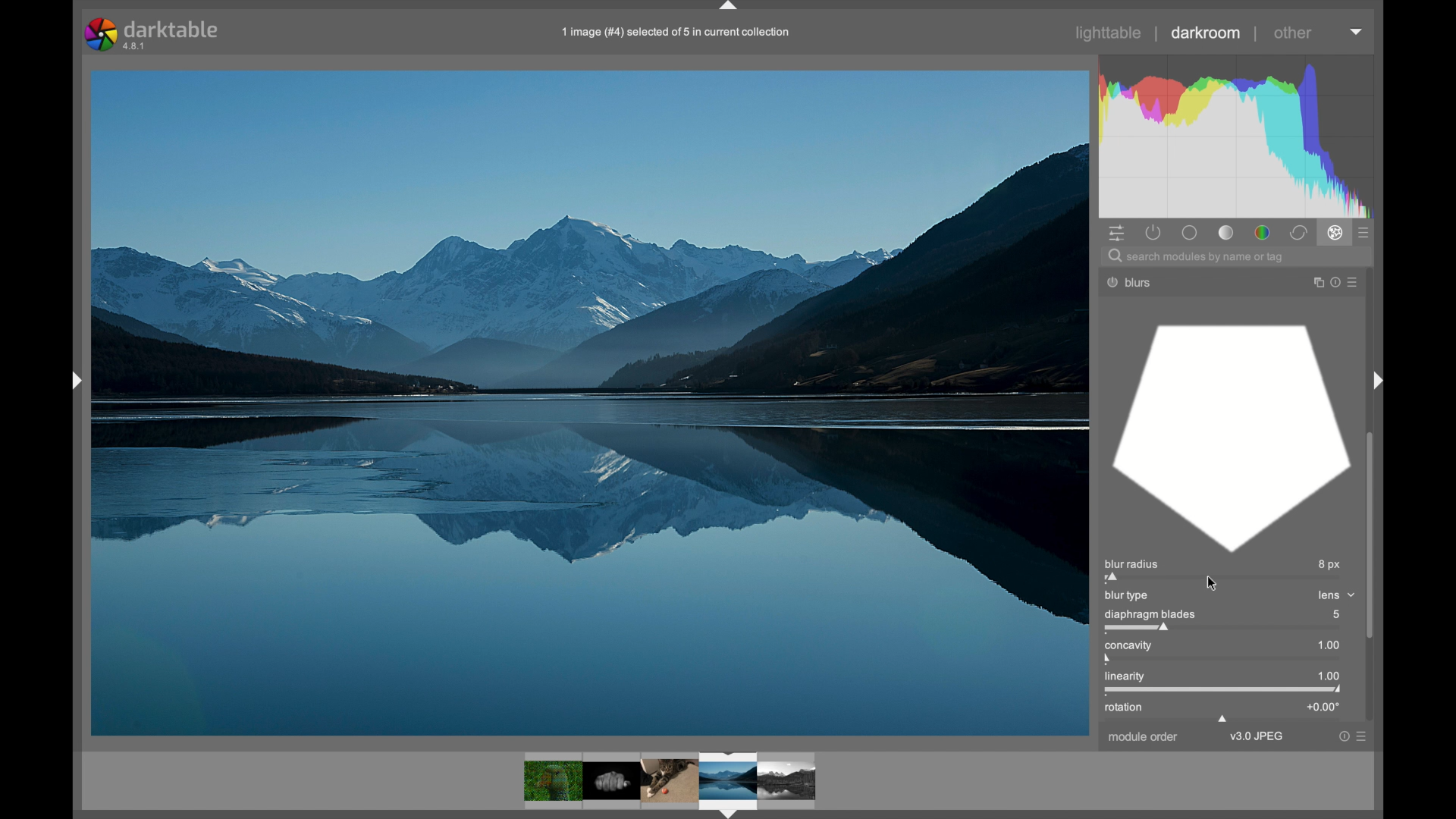 The width and height of the screenshot is (1456, 819). I want to click on drag handle, so click(1380, 381).